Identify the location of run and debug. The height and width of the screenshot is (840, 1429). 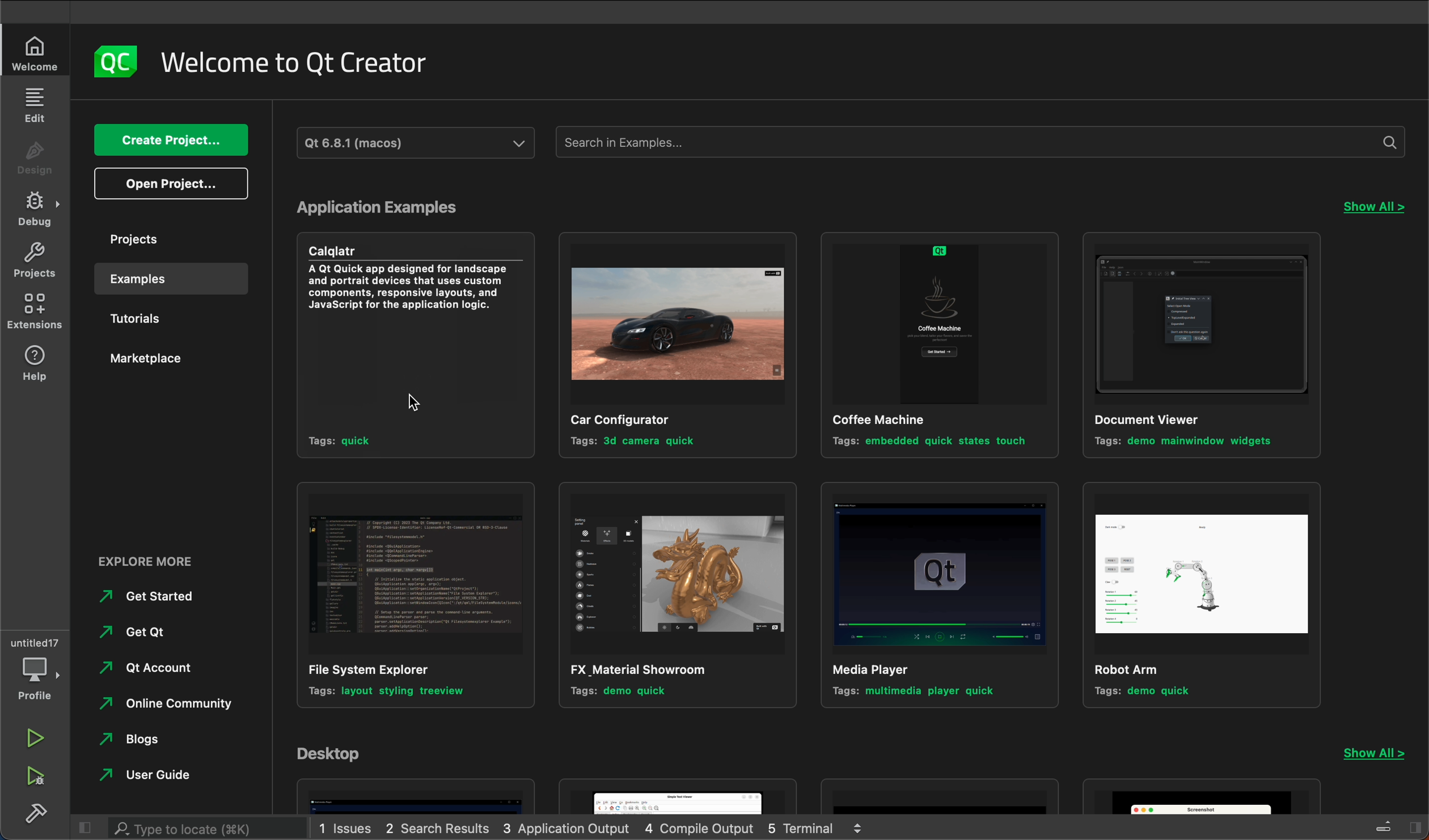
(41, 775).